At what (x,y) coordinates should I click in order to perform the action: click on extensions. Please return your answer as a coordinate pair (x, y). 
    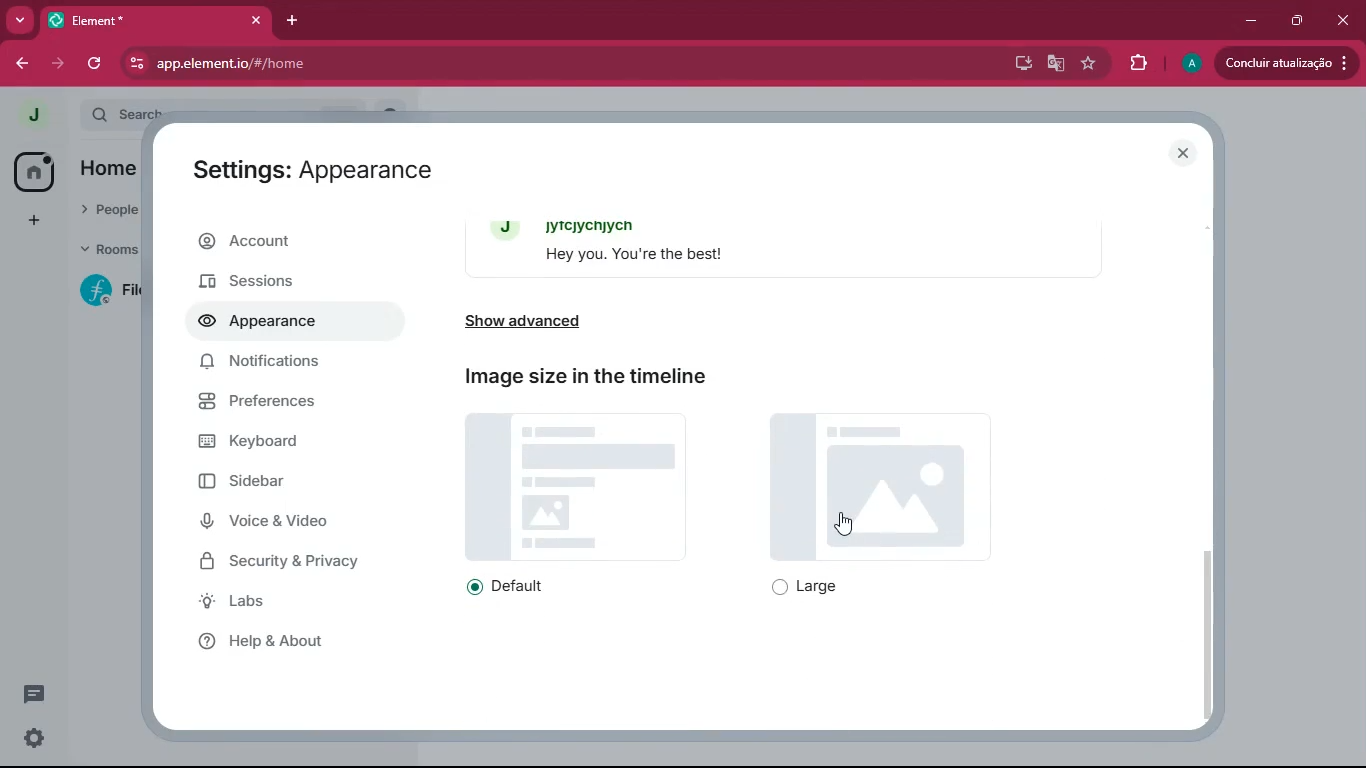
    Looking at the image, I should click on (1132, 64).